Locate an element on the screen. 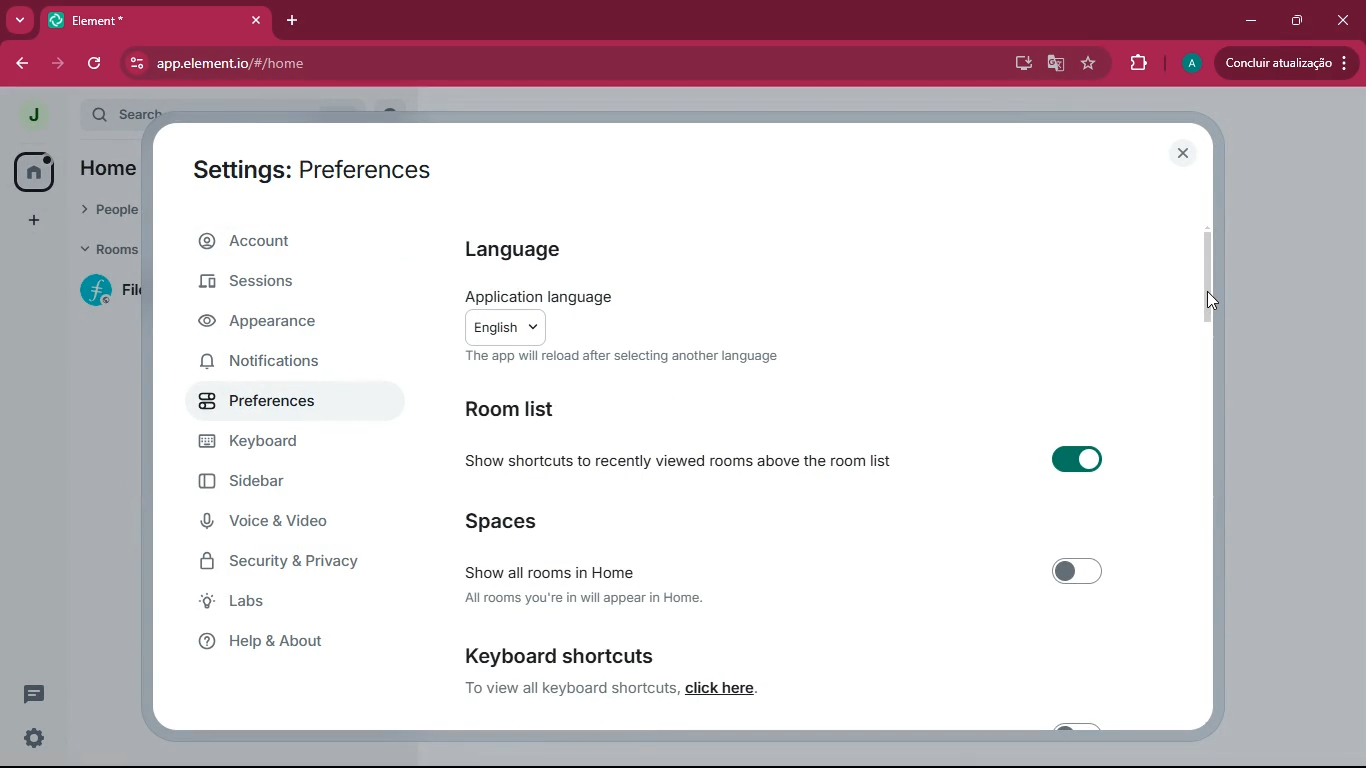  language is located at coordinates (523, 249).